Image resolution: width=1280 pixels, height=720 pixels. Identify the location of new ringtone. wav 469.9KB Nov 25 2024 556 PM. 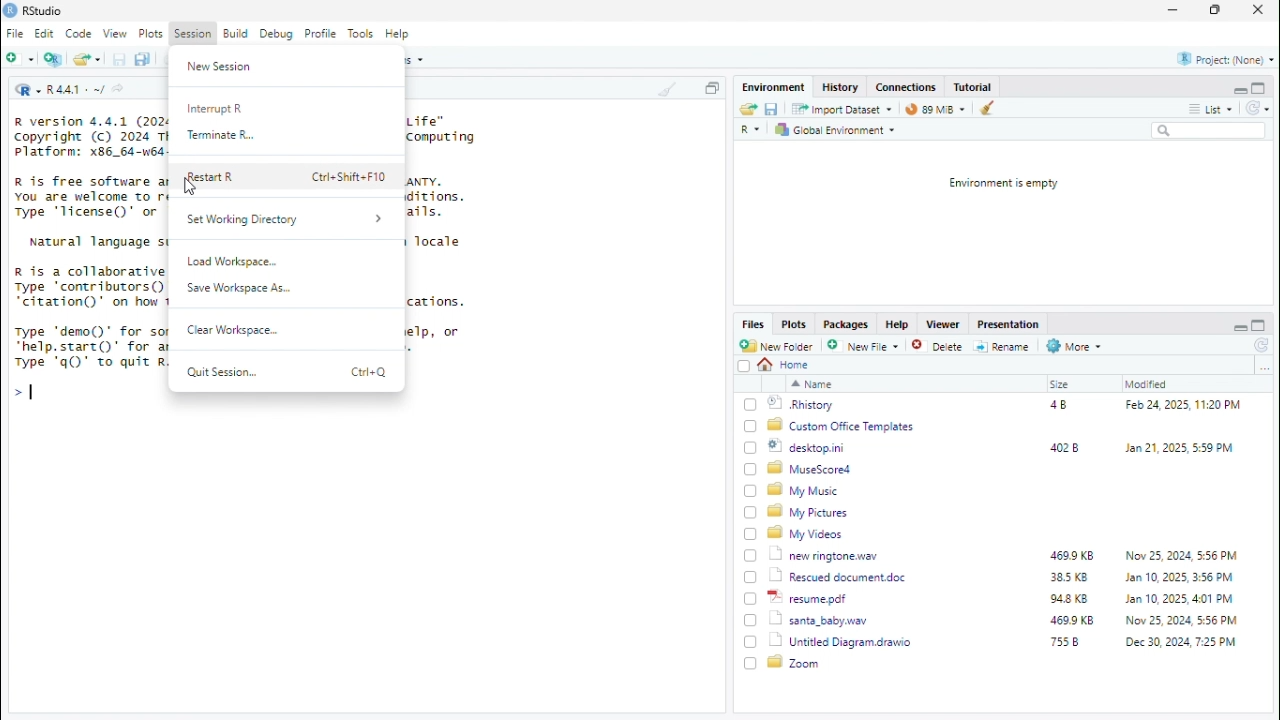
(1004, 554).